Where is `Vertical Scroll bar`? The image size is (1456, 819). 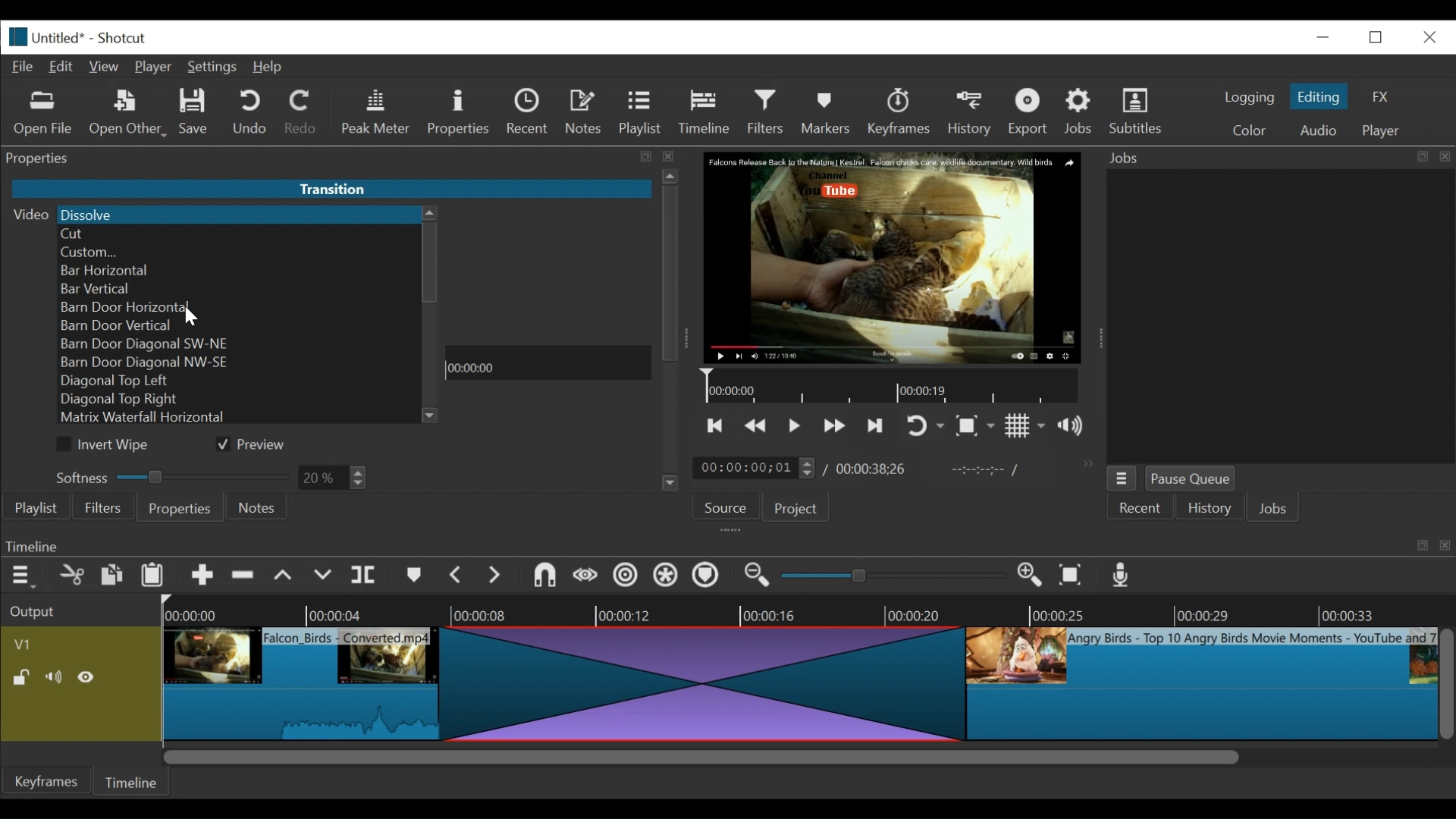
Vertical Scroll bar is located at coordinates (671, 274).